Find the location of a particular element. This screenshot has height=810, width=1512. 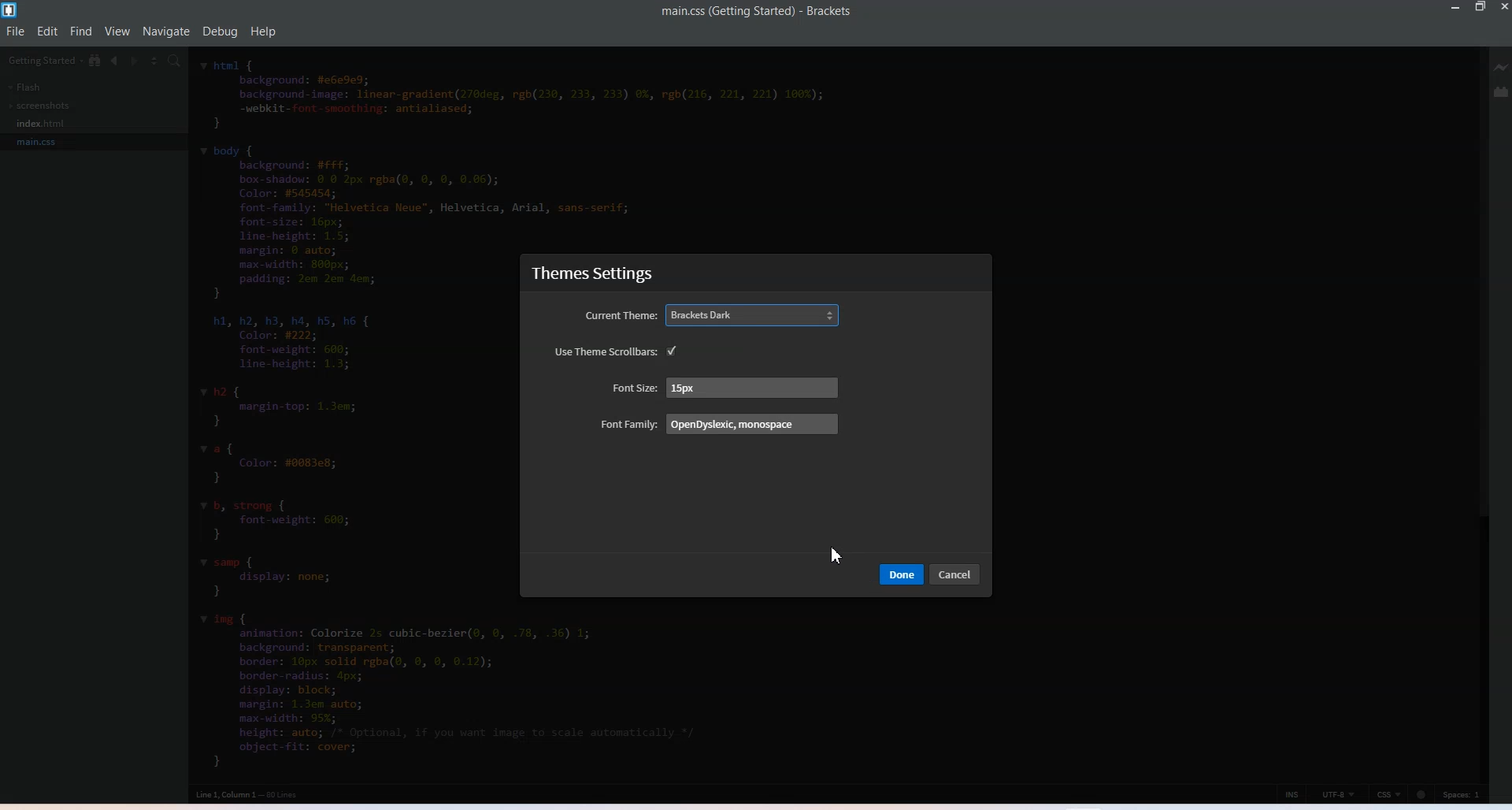

Logo is located at coordinates (12, 11).